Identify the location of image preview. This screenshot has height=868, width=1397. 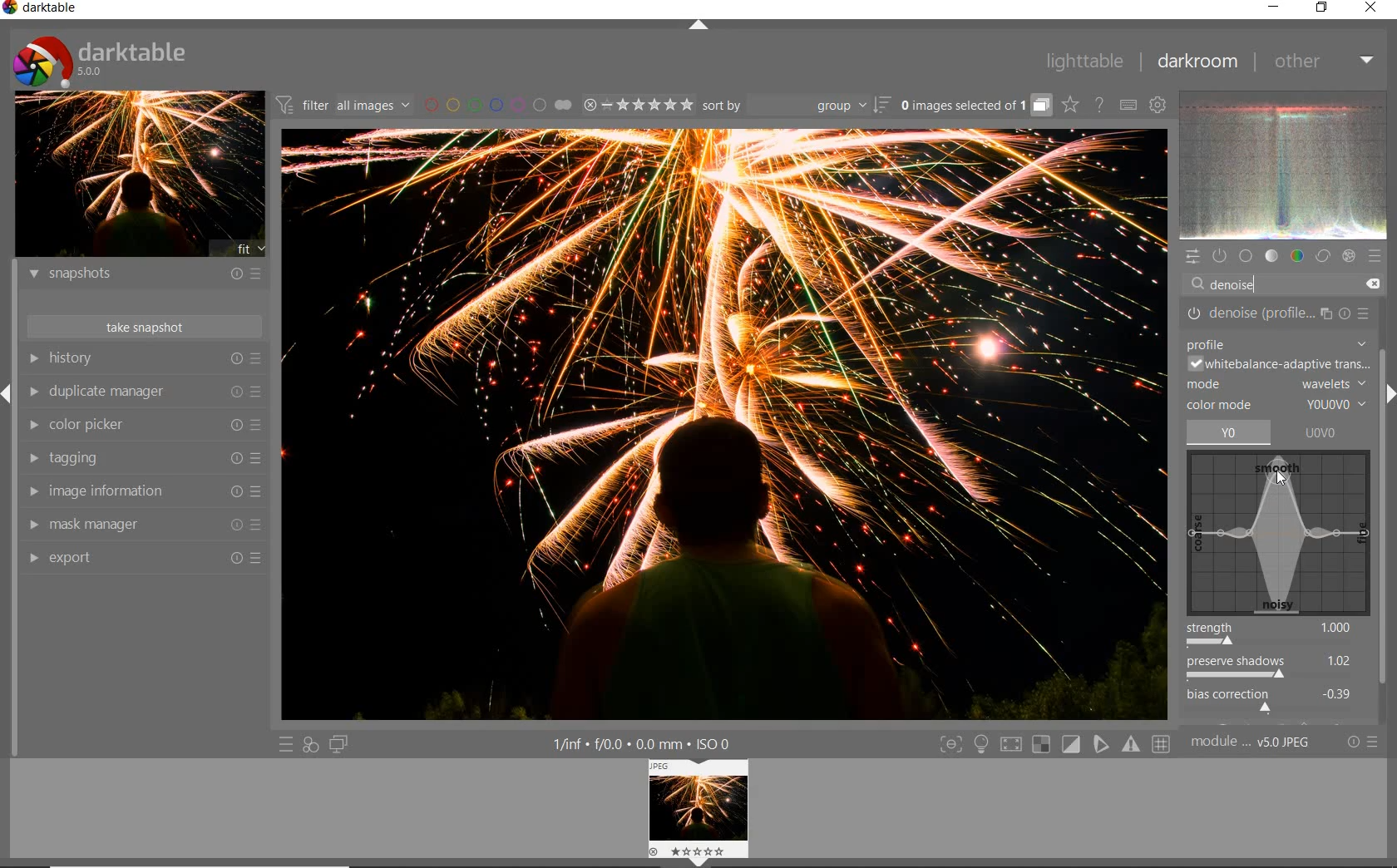
(139, 175).